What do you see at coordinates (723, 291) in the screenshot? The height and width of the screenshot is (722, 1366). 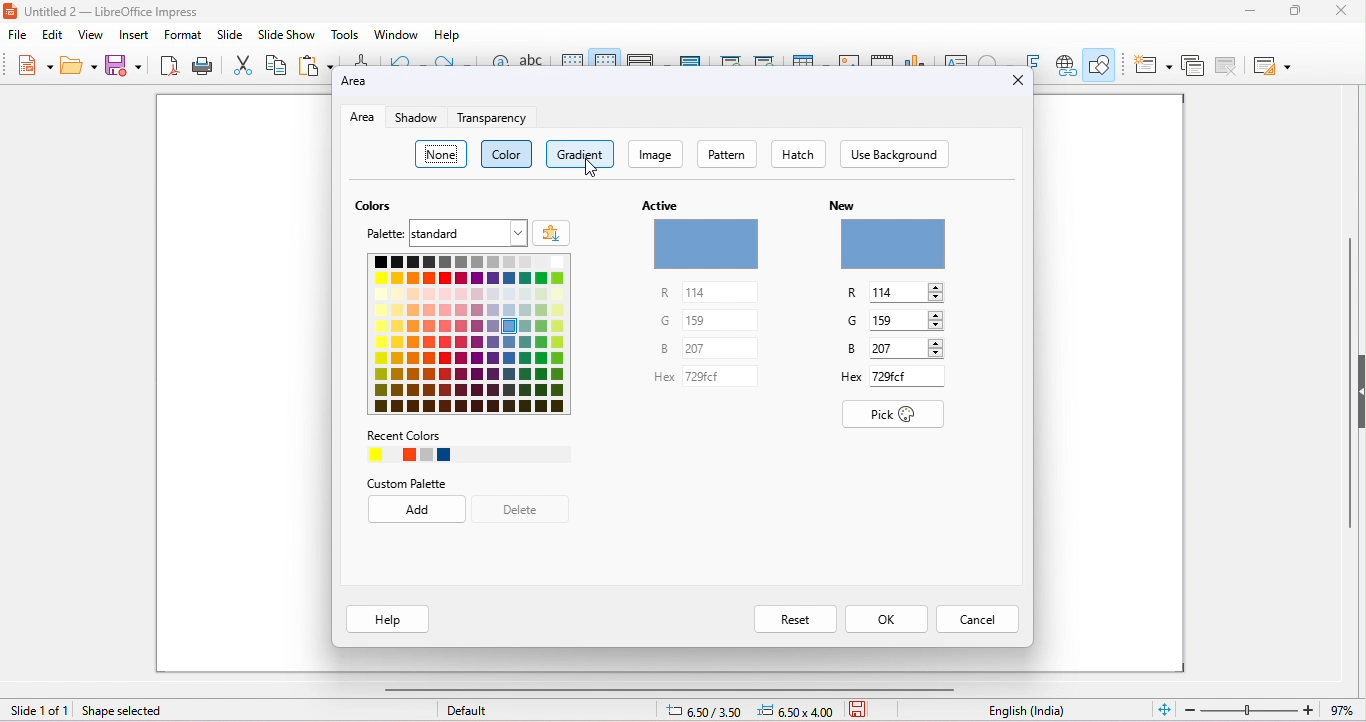 I see `114` at bounding box center [723, 291].